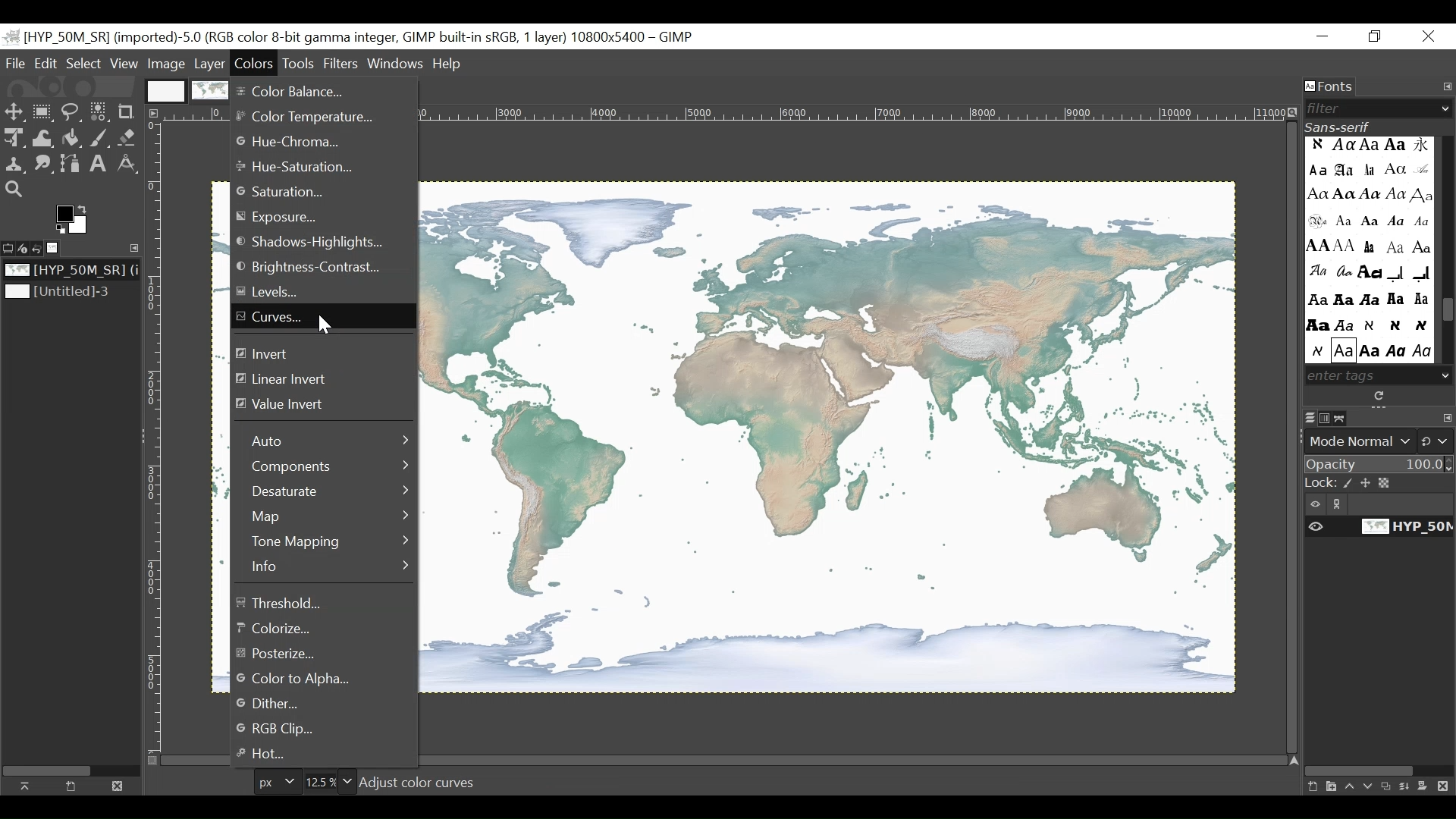  I want to click on Scroll down, so click(1446, 375).